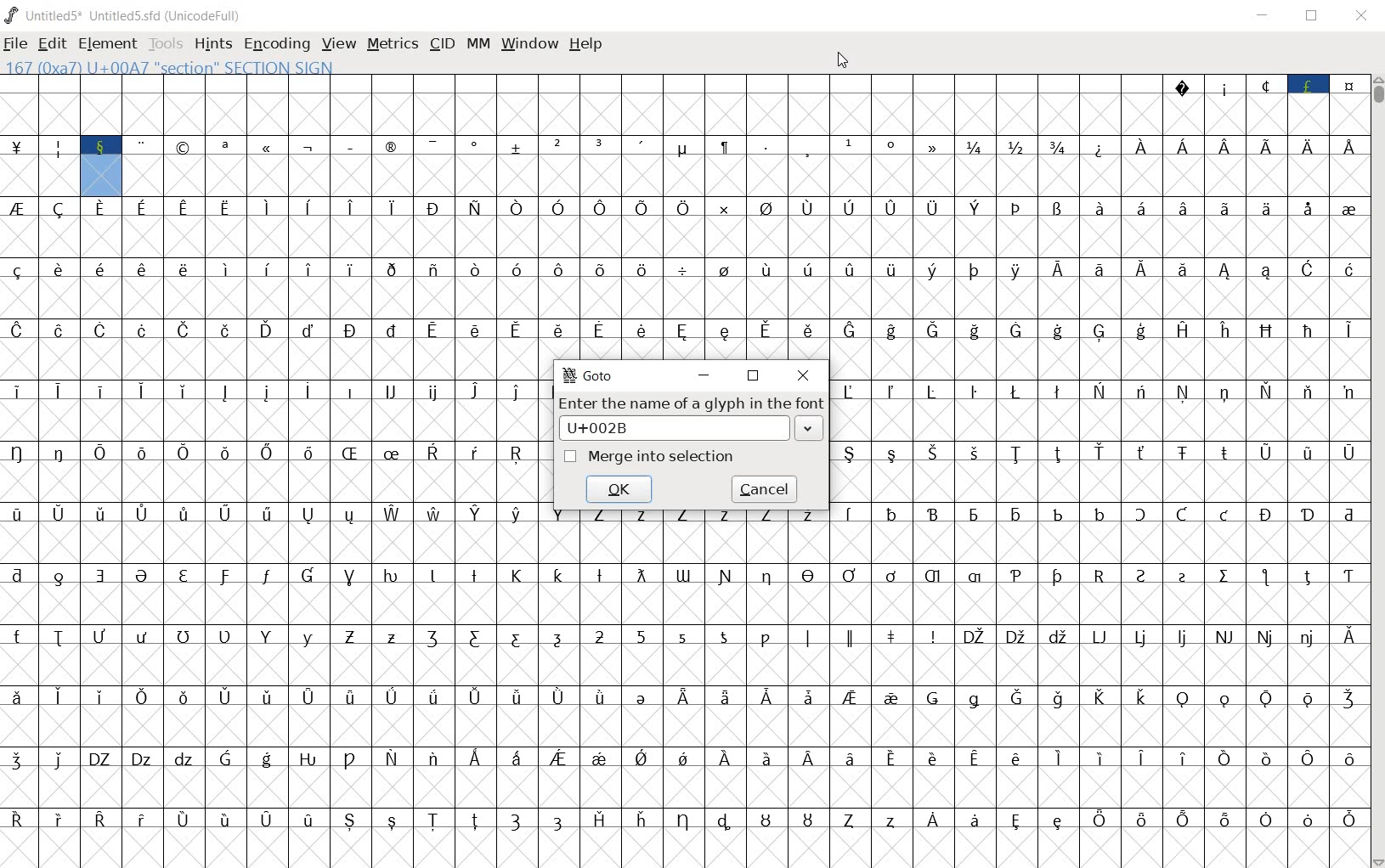  I want to click on , so click(82, 839).